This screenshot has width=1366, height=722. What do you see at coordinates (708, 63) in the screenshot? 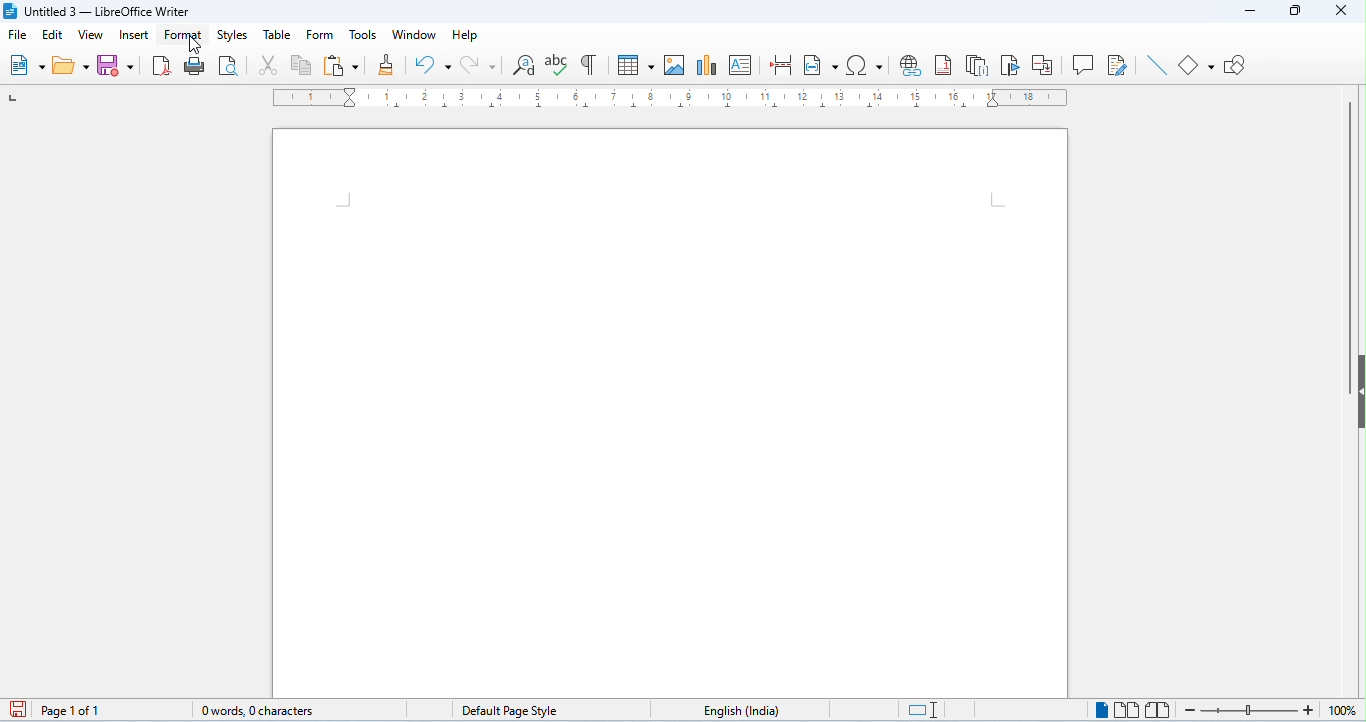
I see `insert chart` at bounding box center [708, 63].